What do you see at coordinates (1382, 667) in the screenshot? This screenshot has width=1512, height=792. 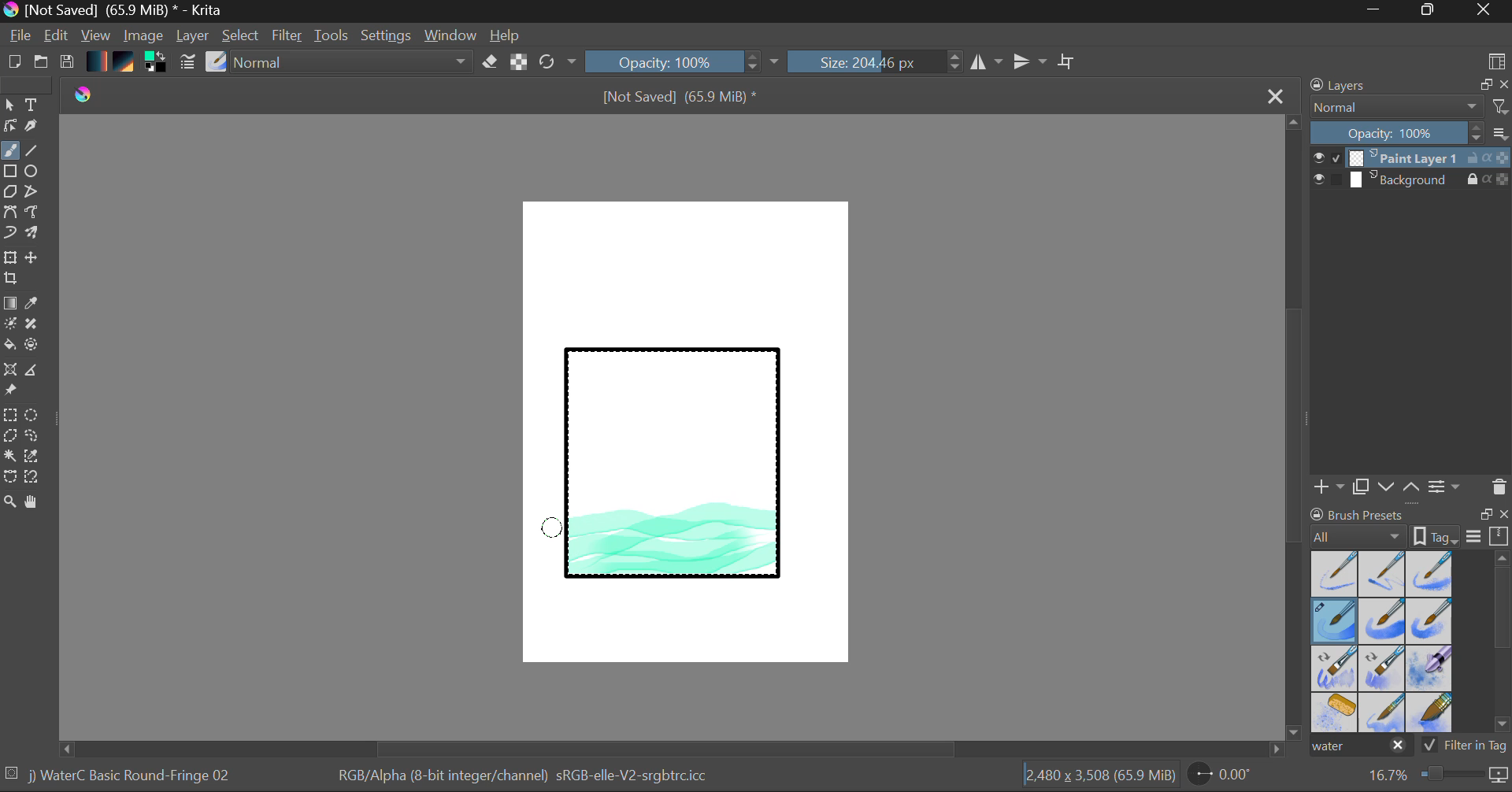 I see `Water C - Decay Tilt` at bounding box center [1382, 667].